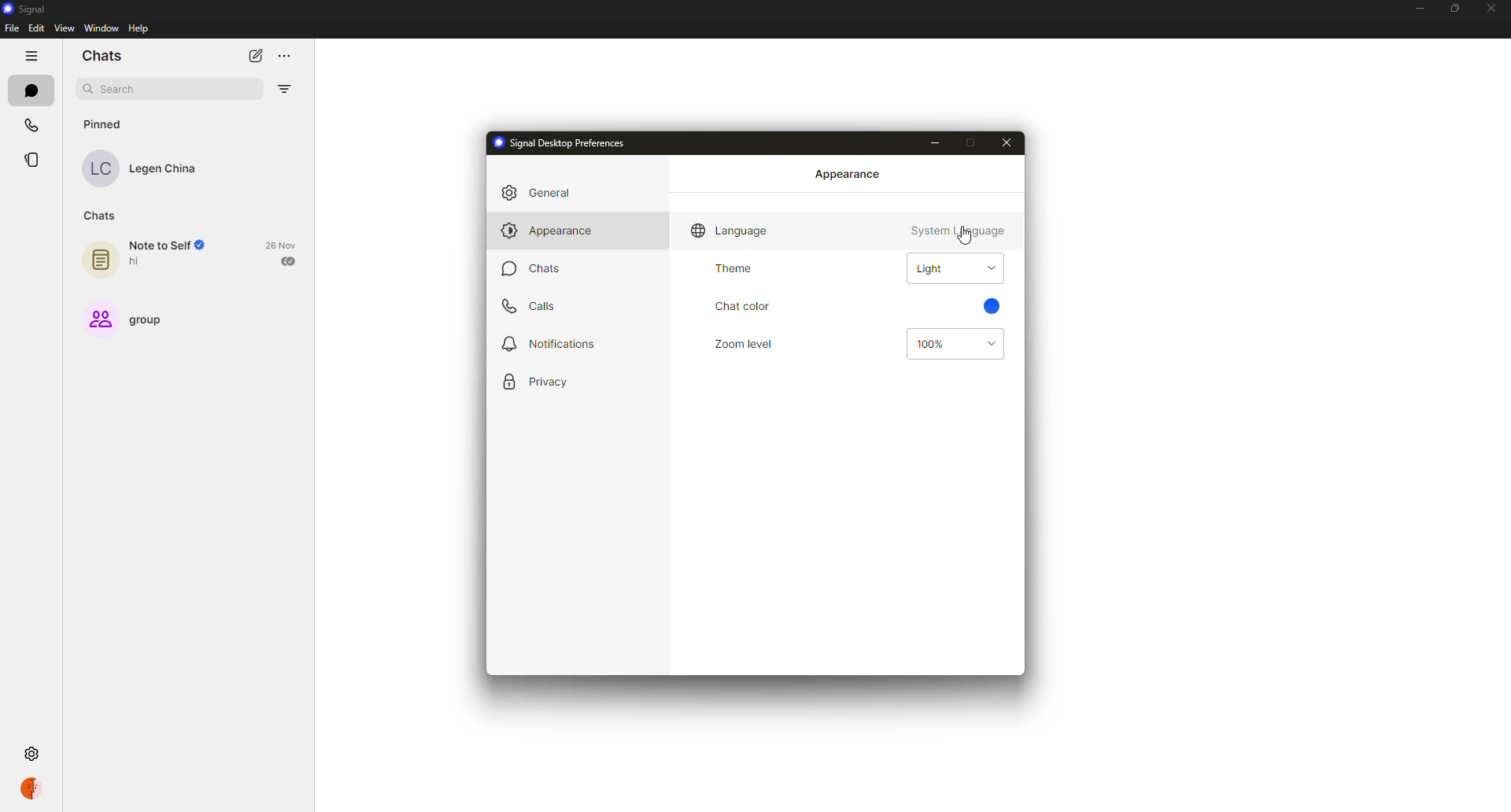  What do you see at coordinates (34, 788) in the screenshot?
I see `profile` at bounding box center [34, 788].